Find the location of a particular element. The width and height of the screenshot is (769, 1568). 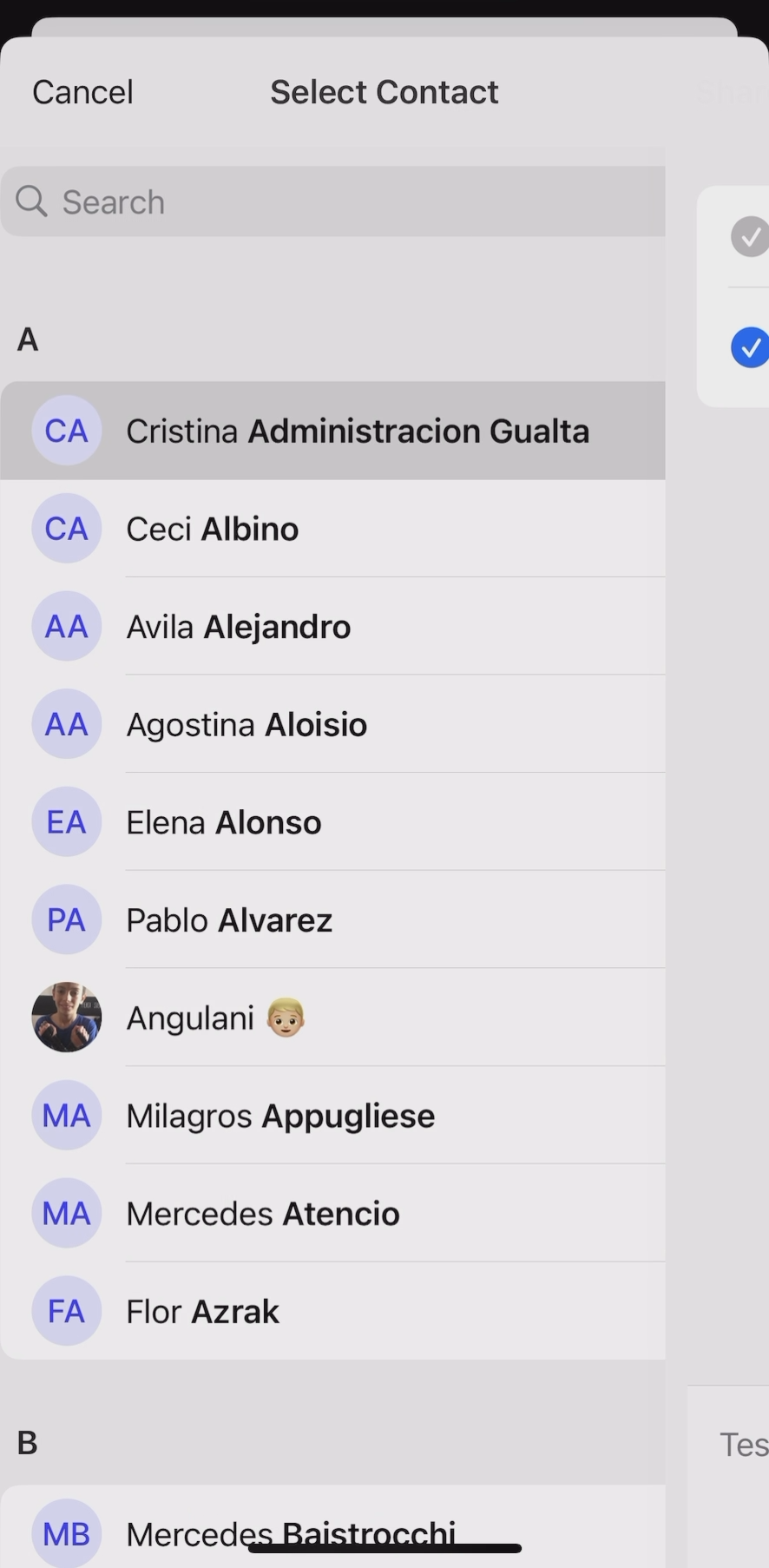

Milagros Appugliese is located at coordinates (239, 1117).